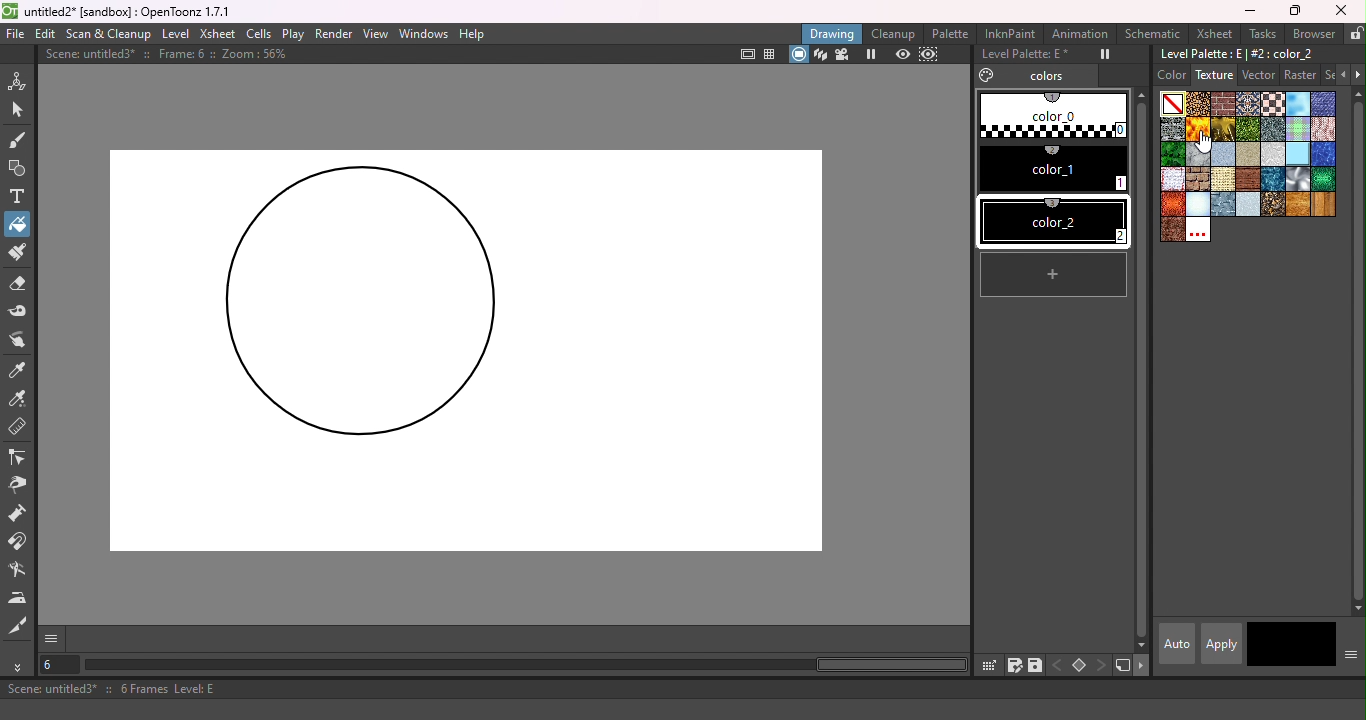  Describe the element at coordinates (1358, 350) in the screenshot. I see `vertical scroll bar` at that location.